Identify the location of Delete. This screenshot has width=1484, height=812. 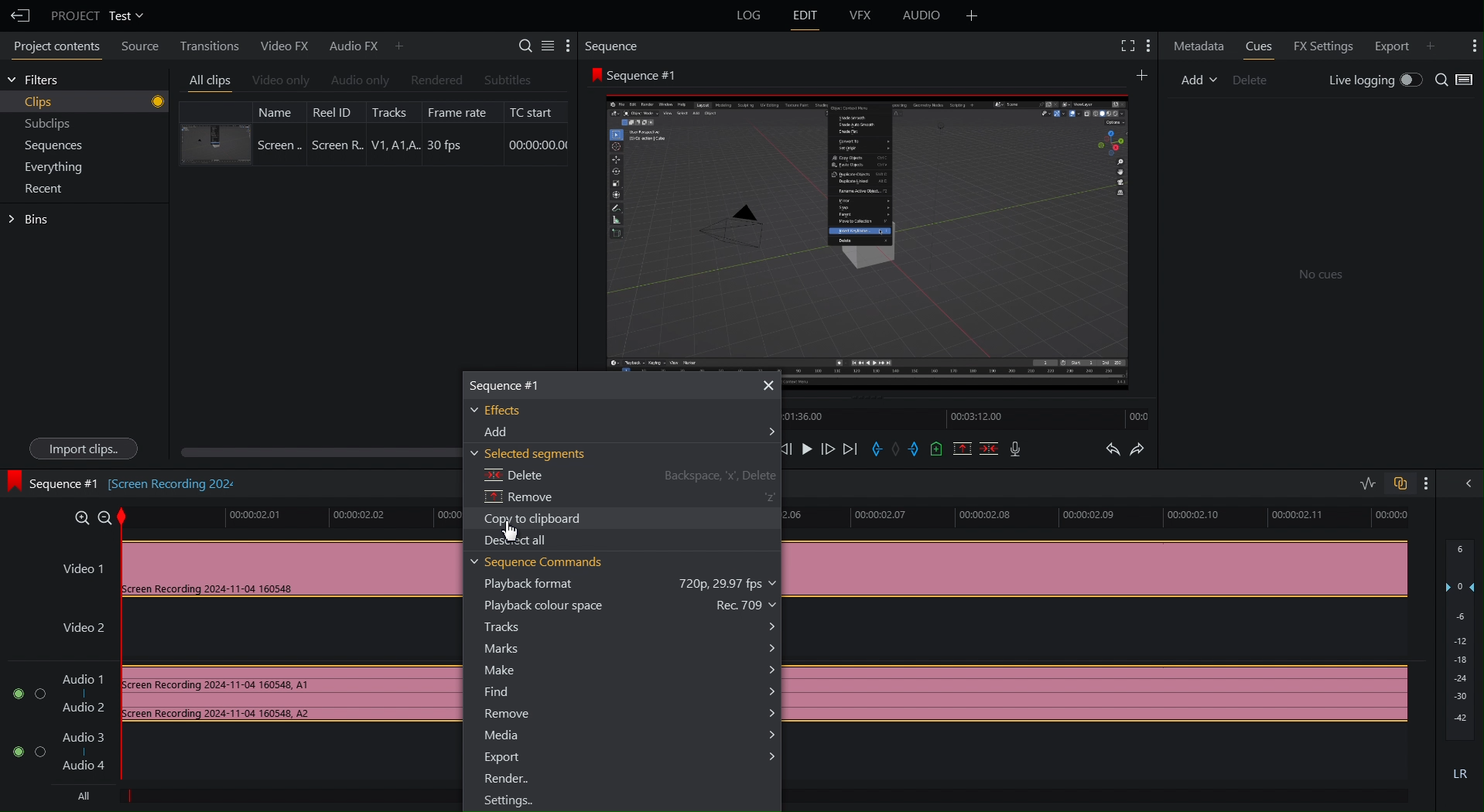
(625, 478).